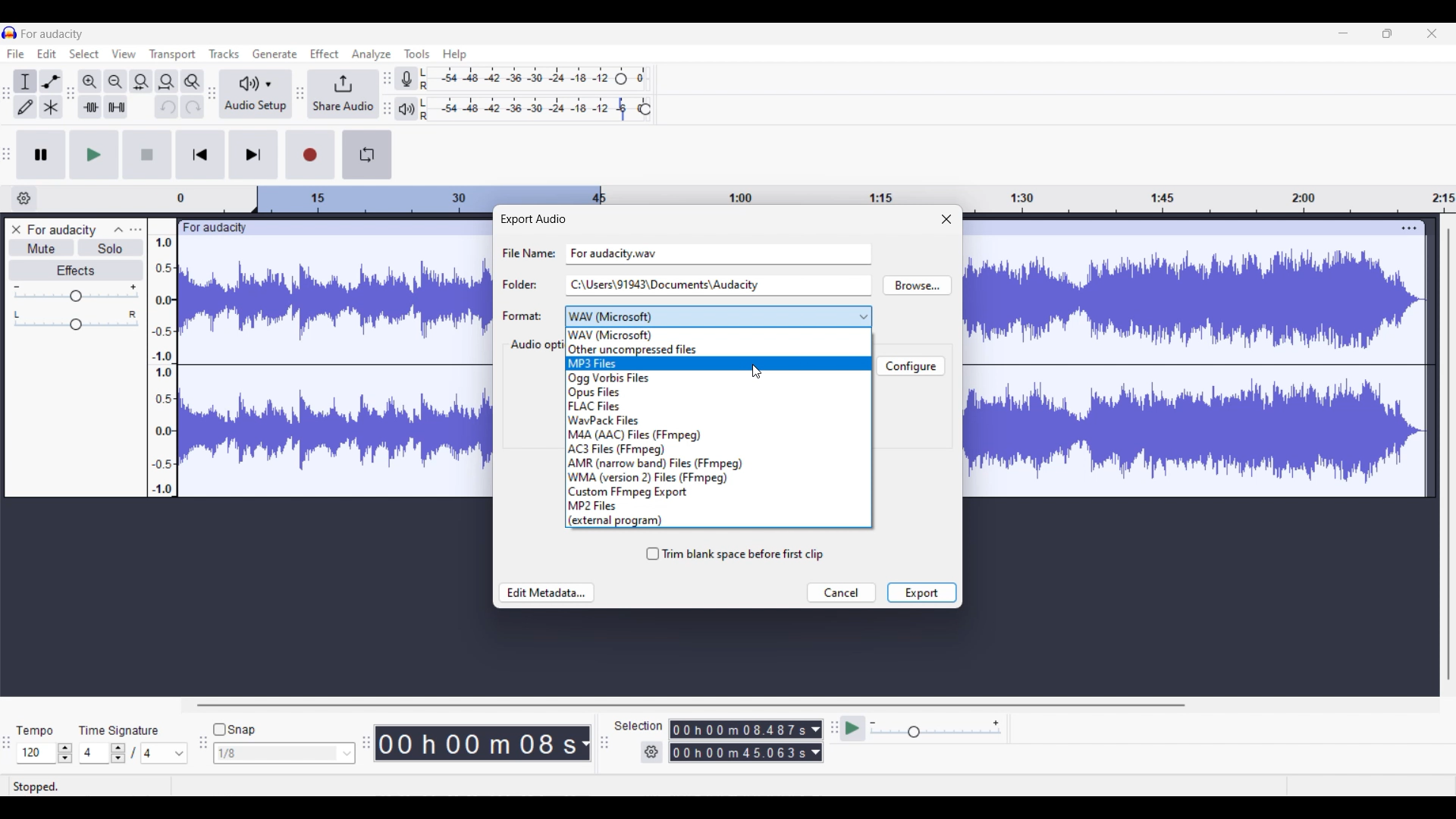  What do you see at coordinates (372, 55) in the screenshot?
I see `Analyze menu` at bounding box center [372, 55].